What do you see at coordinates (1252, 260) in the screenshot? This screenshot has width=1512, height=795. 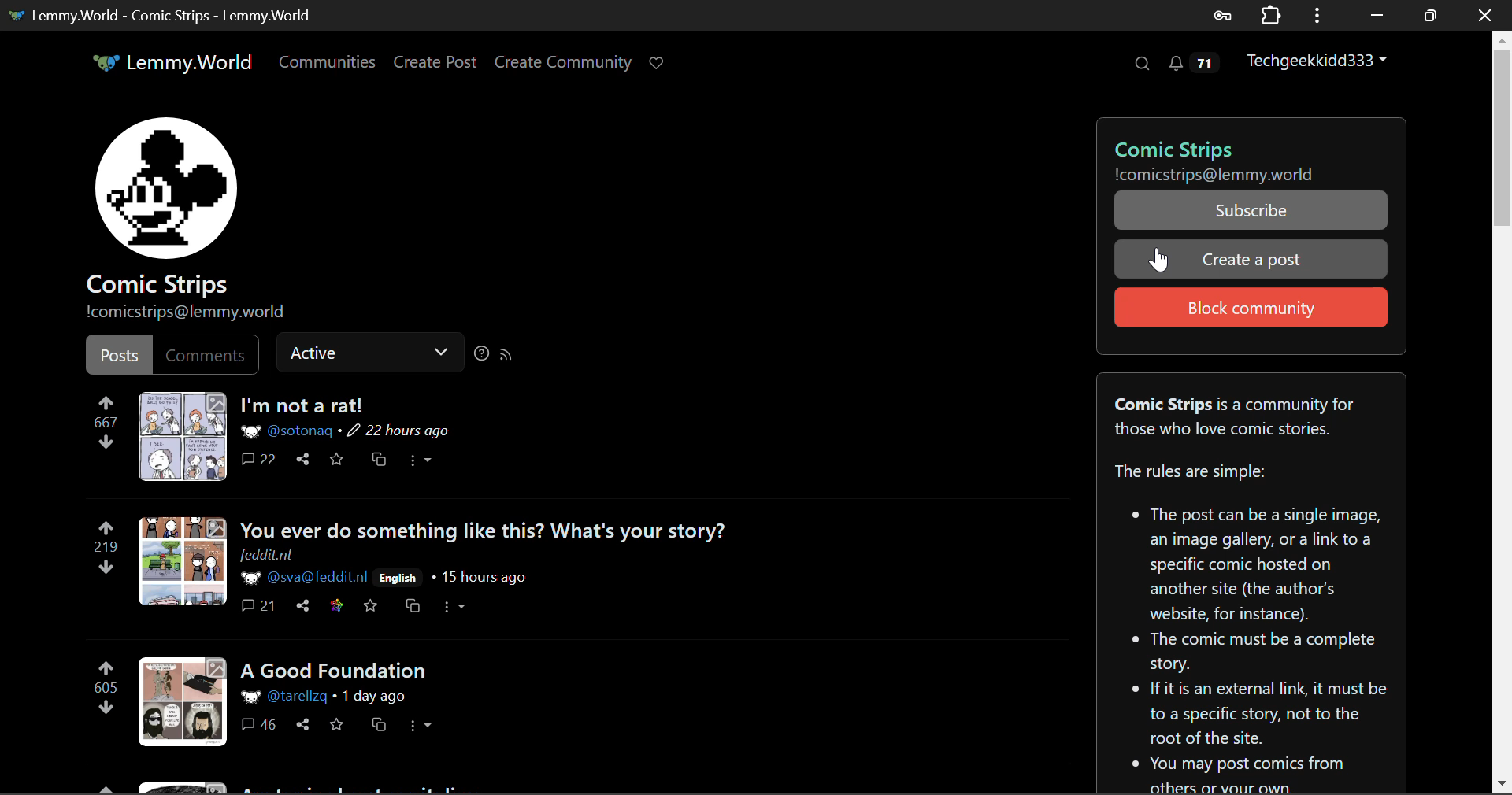 I see `Create a post` at bounding box center [1252, 260].